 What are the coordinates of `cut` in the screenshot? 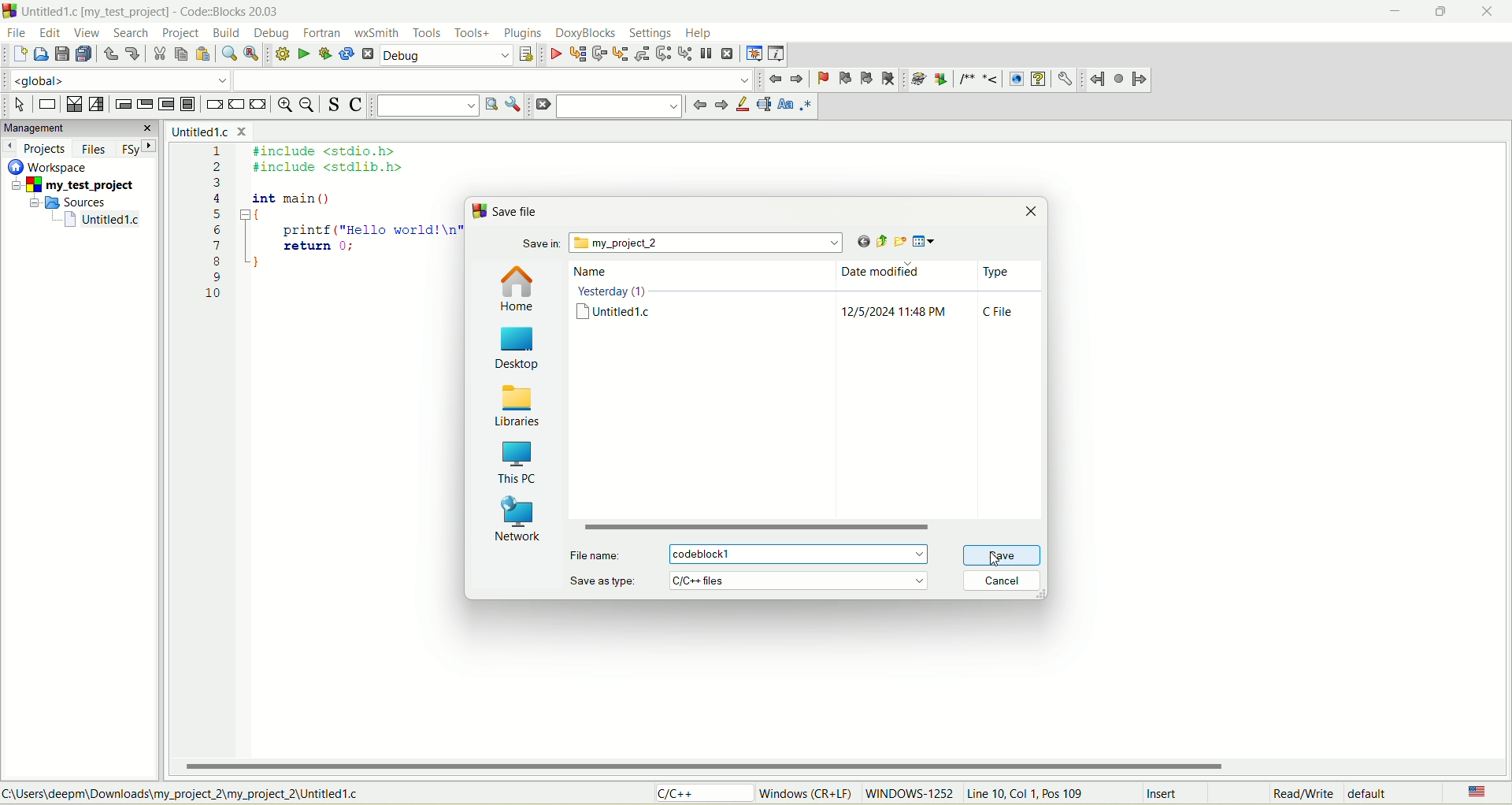 It's located at (158, 54).